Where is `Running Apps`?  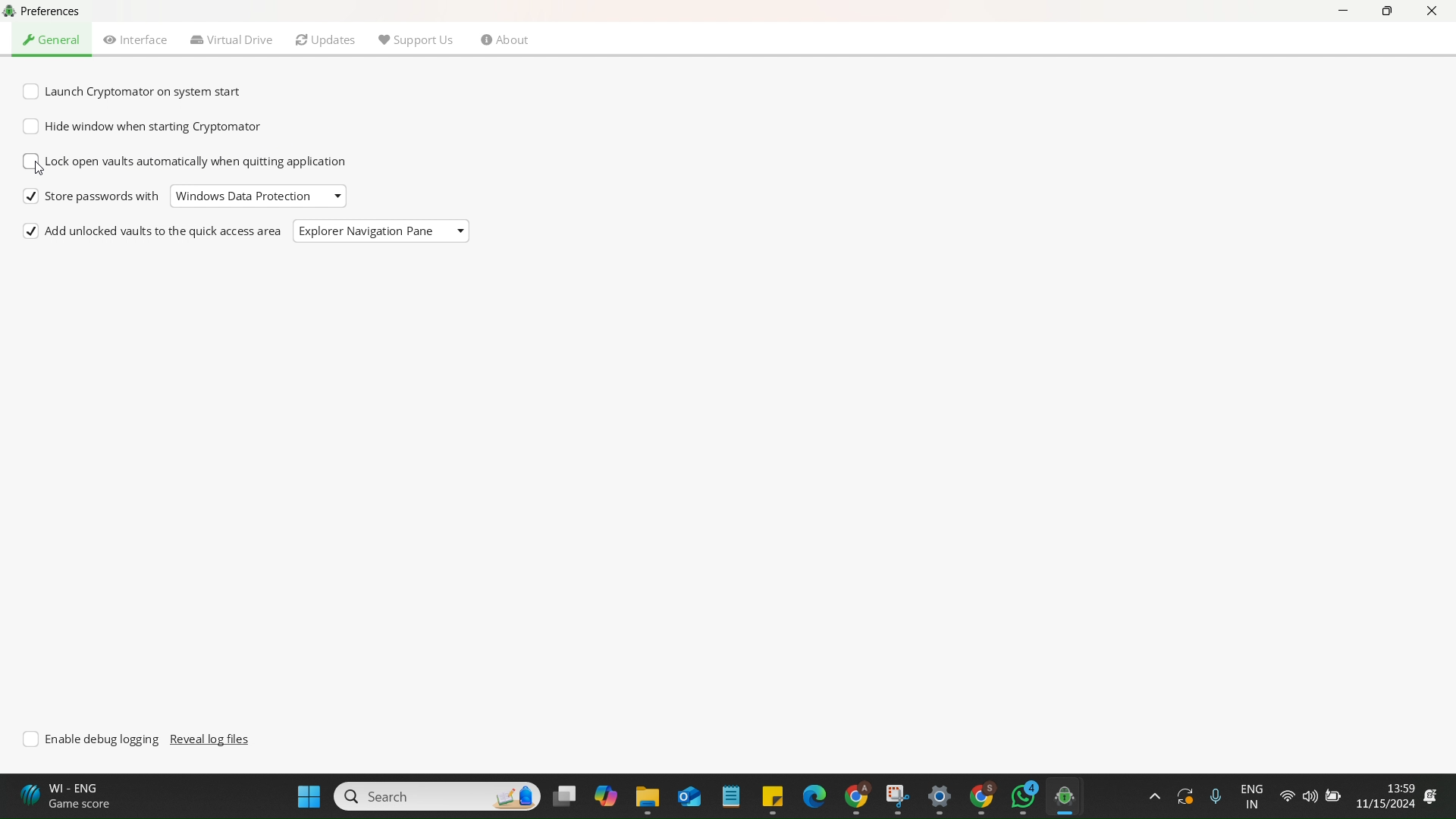
Running Apps is located at coordinates (1153, 796).